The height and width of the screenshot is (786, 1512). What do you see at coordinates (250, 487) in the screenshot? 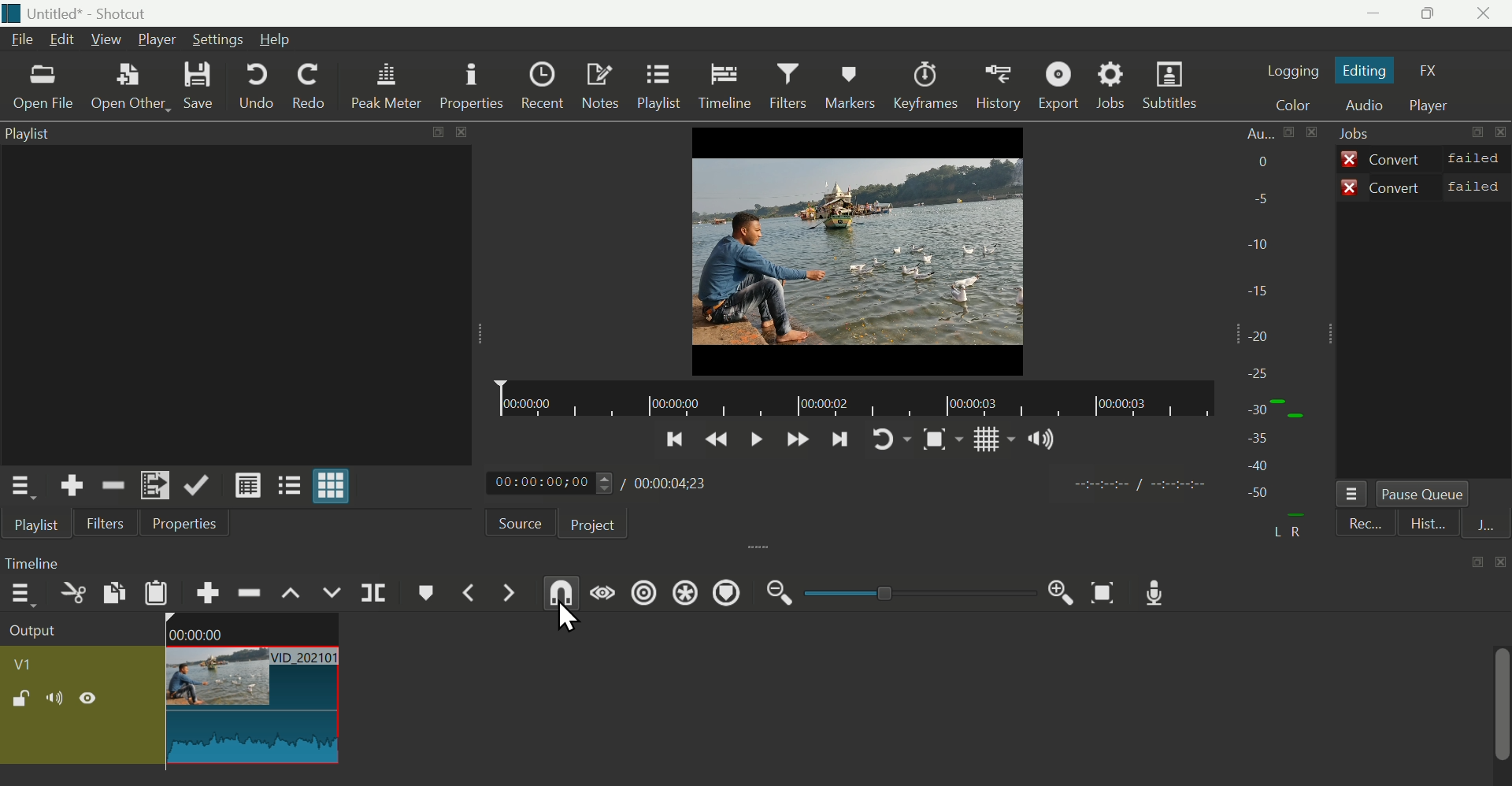
I see `View as details` at bounding box center [250, 487].